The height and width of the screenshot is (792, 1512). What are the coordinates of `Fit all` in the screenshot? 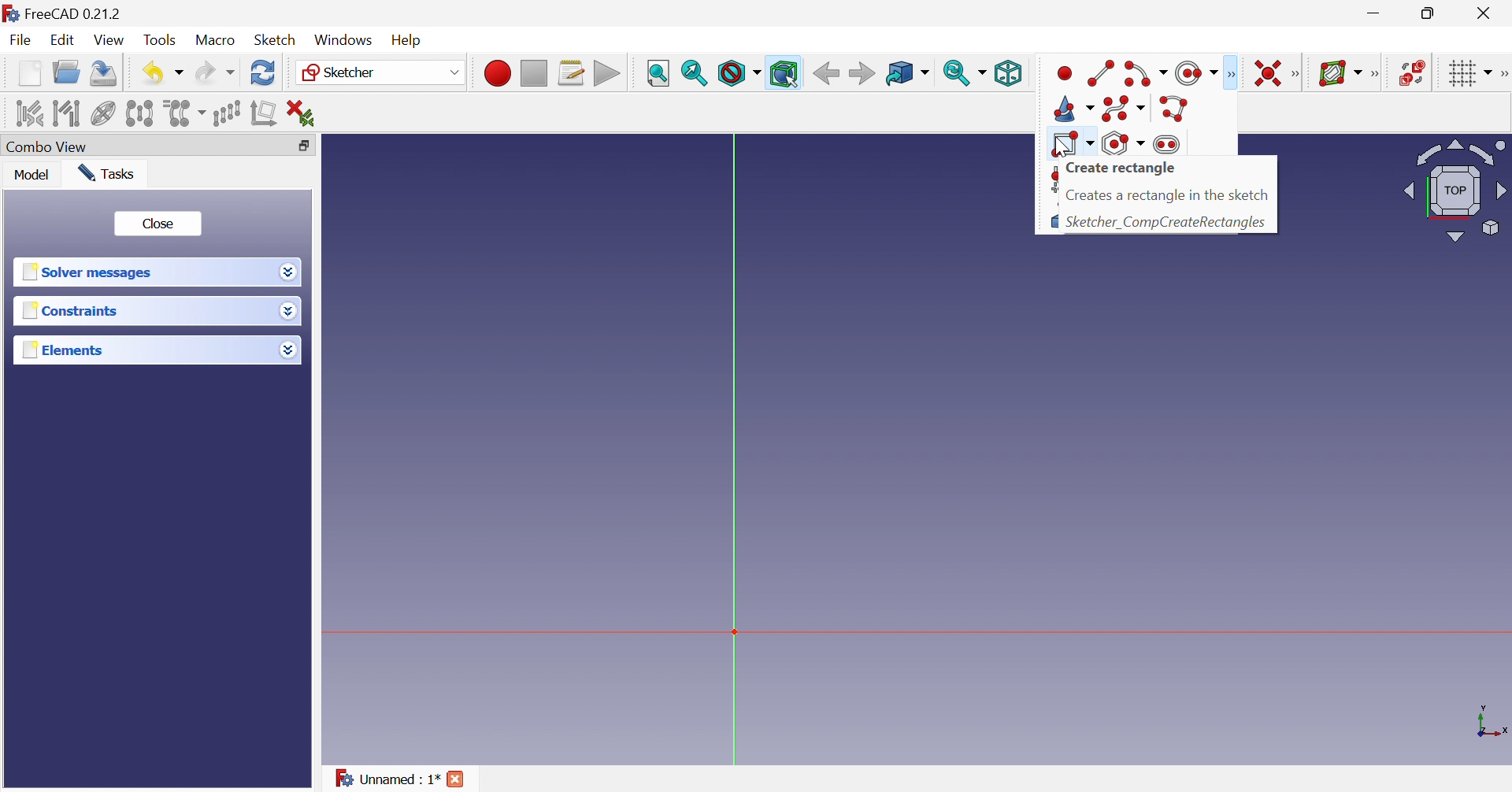 It's located at (658, 73).